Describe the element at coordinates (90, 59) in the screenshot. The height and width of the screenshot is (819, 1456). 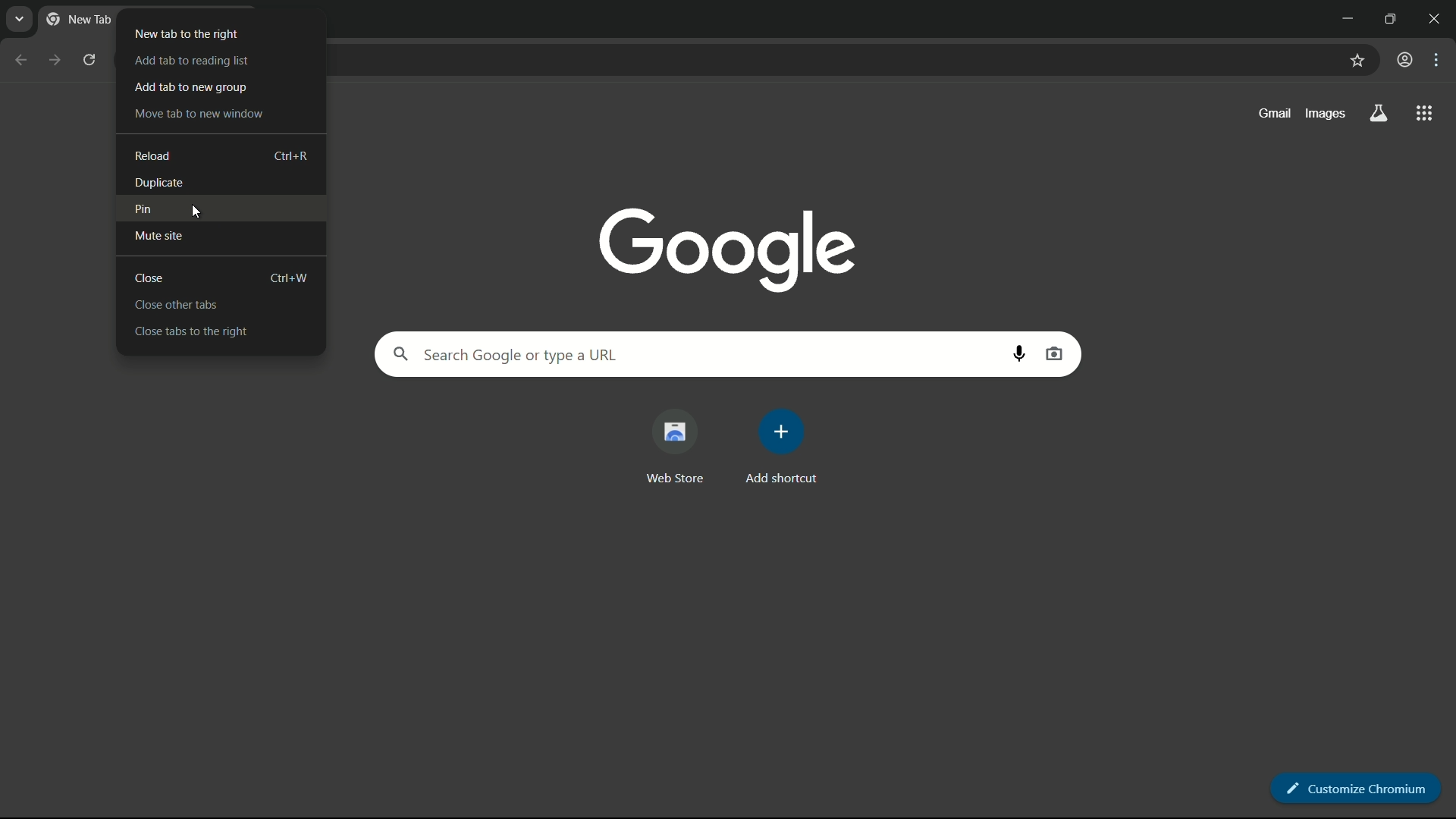
I see `reload` at that location.